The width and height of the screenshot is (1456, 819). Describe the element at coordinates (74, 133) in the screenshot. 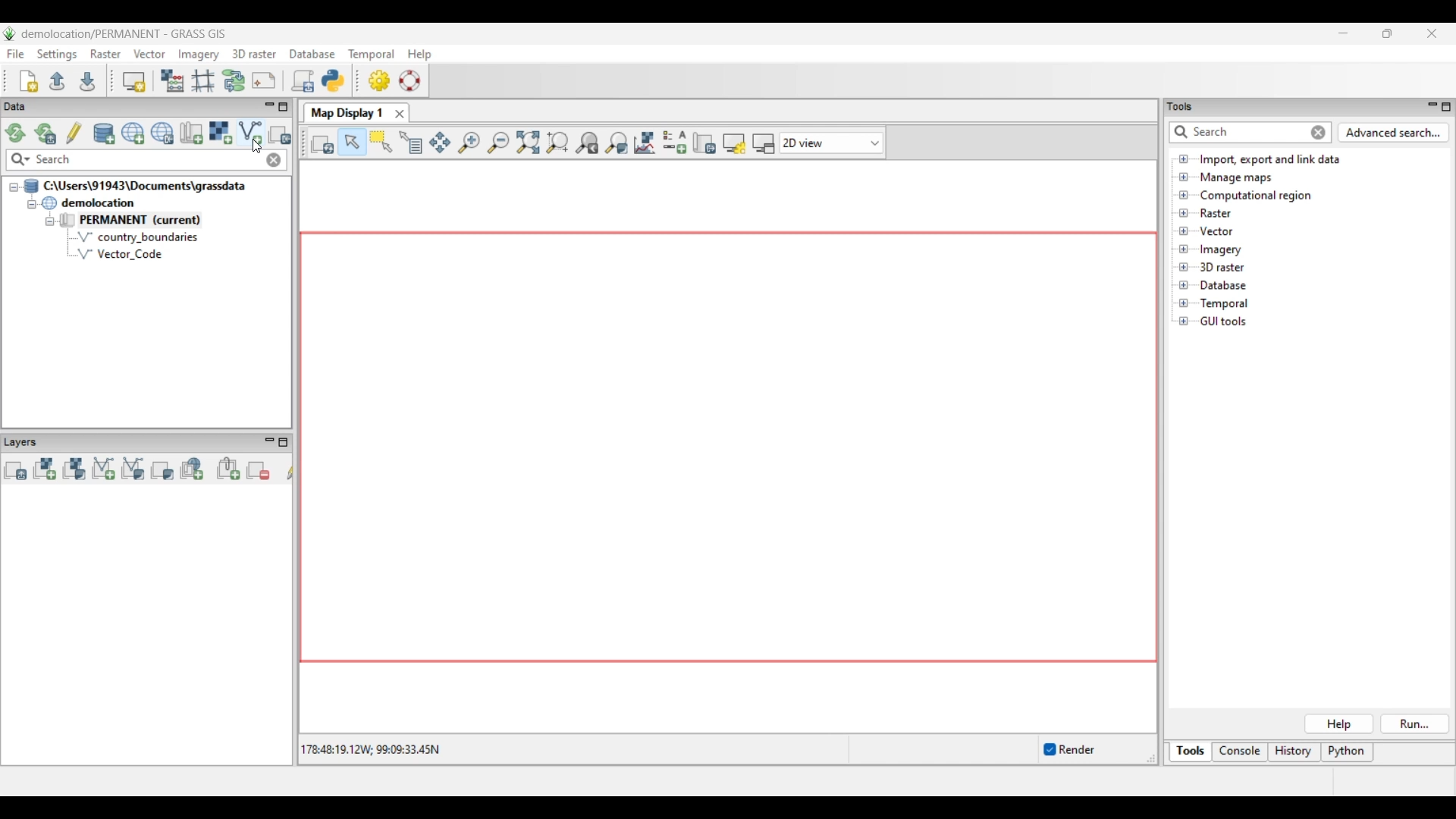

I see `Allow edits outside of the current mapset` at that location.